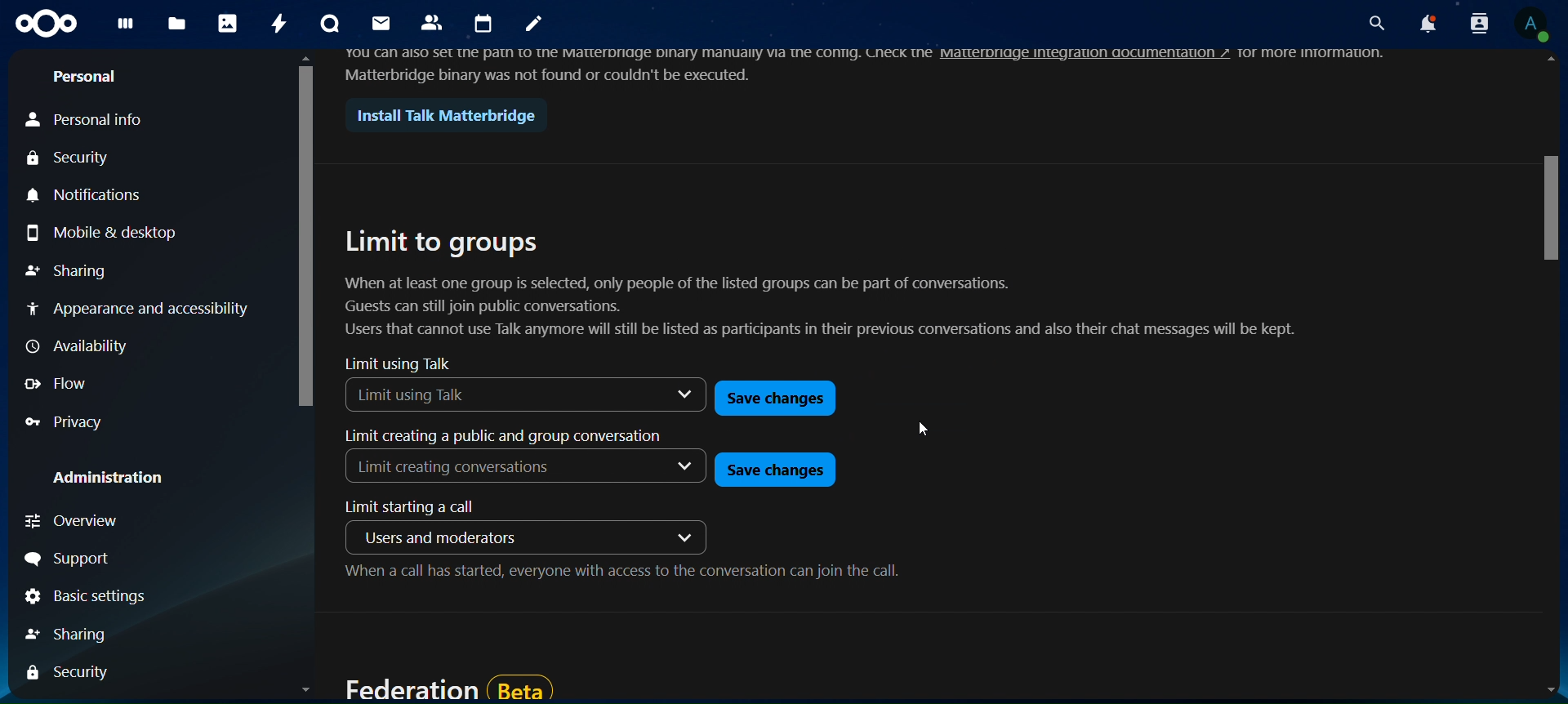 The height and width of the screenshot is (704, 1568). Describe the element at coordinates (499, 437) in the screenshot. I see `limit creating a public and group conversation` at that location.